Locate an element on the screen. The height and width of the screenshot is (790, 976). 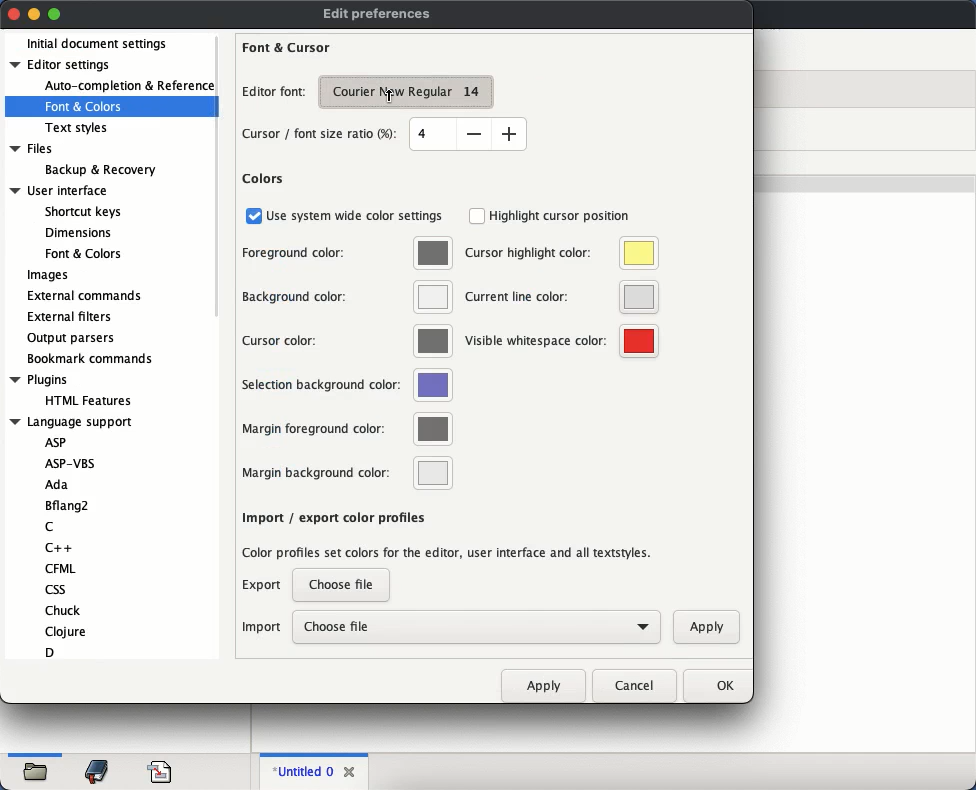
language support is located at coordinates (71, 422).